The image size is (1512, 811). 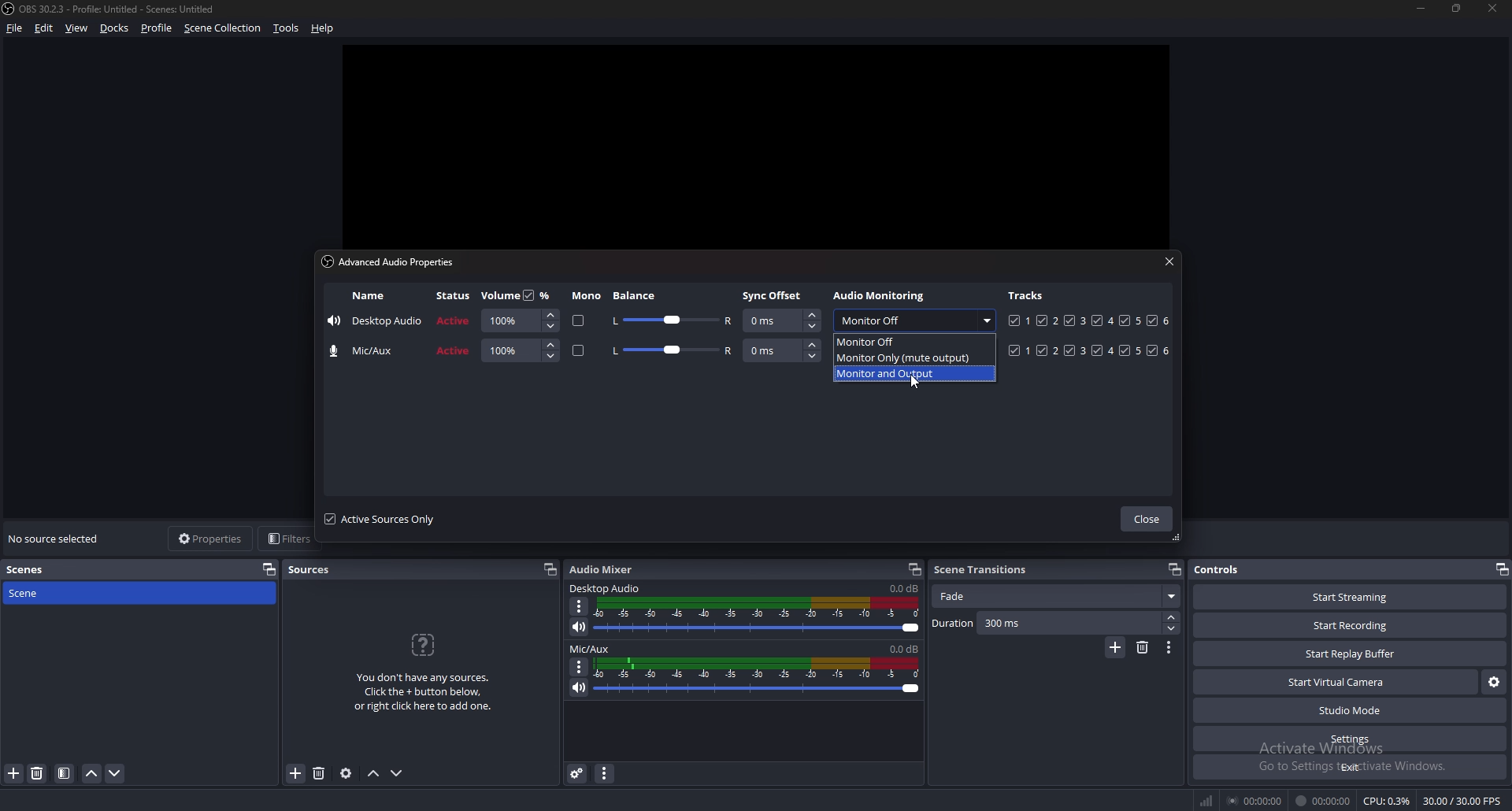 I want to click on obs logo, so click(x=10, y=9).